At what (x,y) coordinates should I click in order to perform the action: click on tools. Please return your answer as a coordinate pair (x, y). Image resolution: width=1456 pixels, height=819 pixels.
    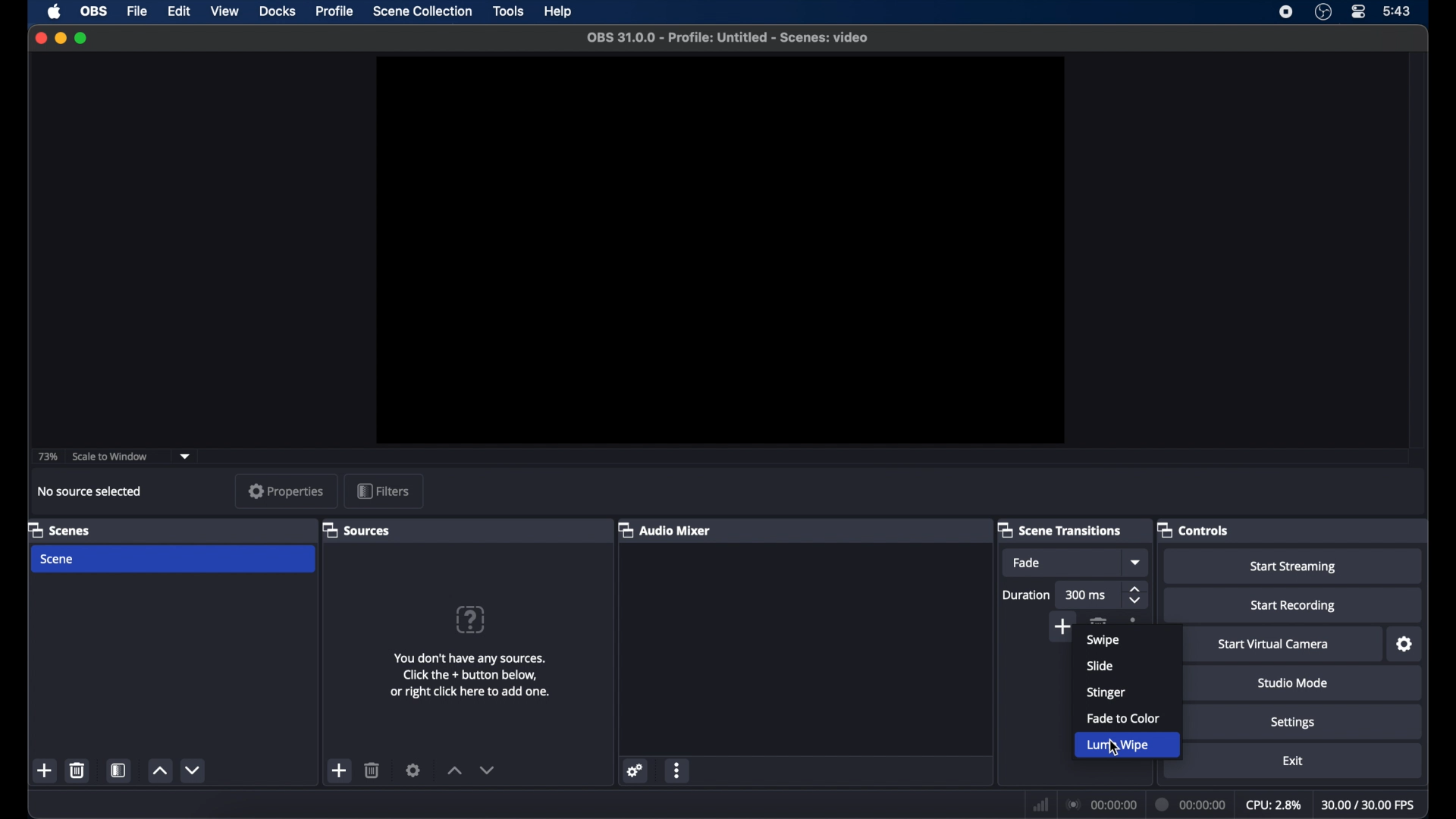
    Looking at the image, I should click on (508, 11).